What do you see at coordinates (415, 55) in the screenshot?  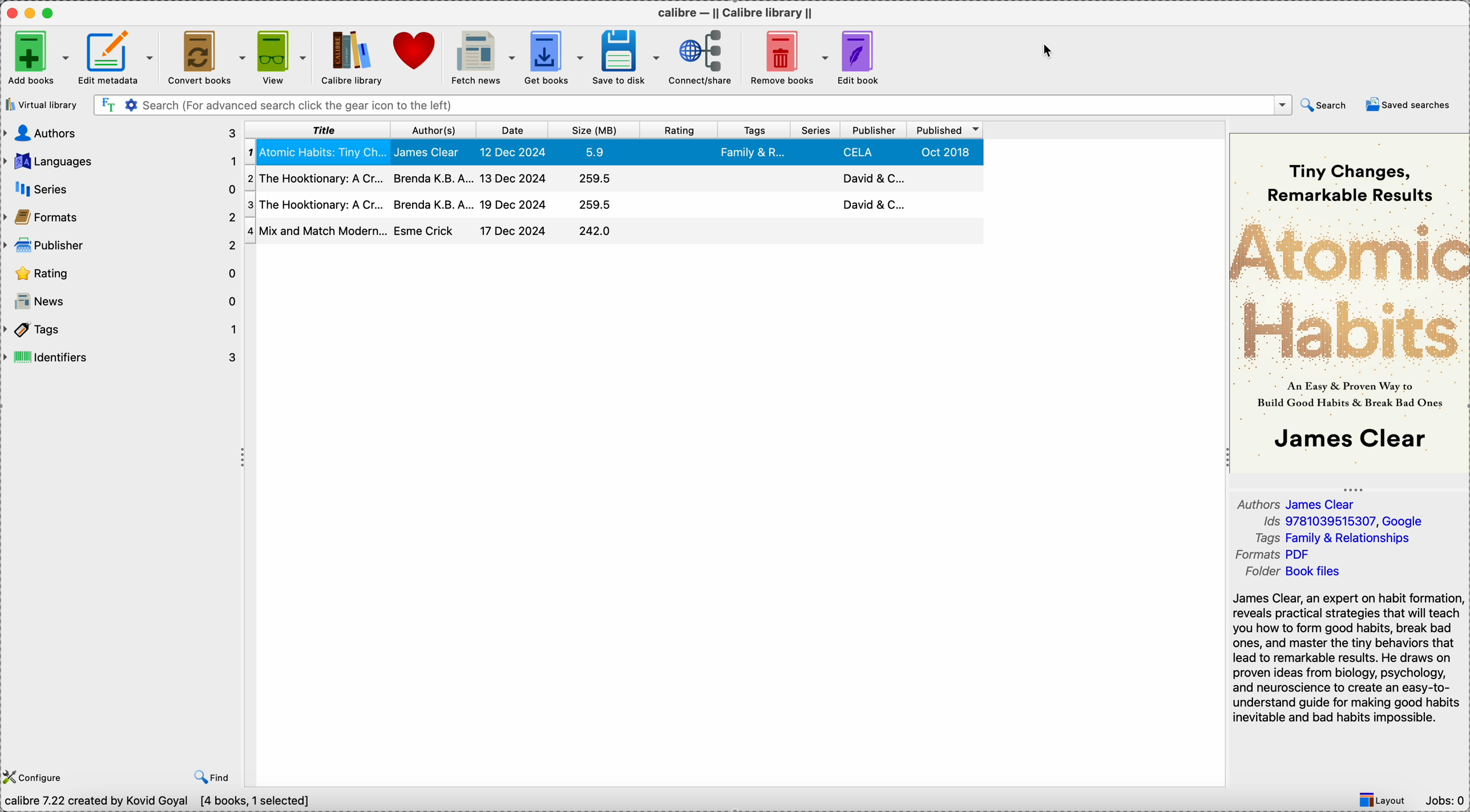 I see `donate` at bounding box center [415, 55].